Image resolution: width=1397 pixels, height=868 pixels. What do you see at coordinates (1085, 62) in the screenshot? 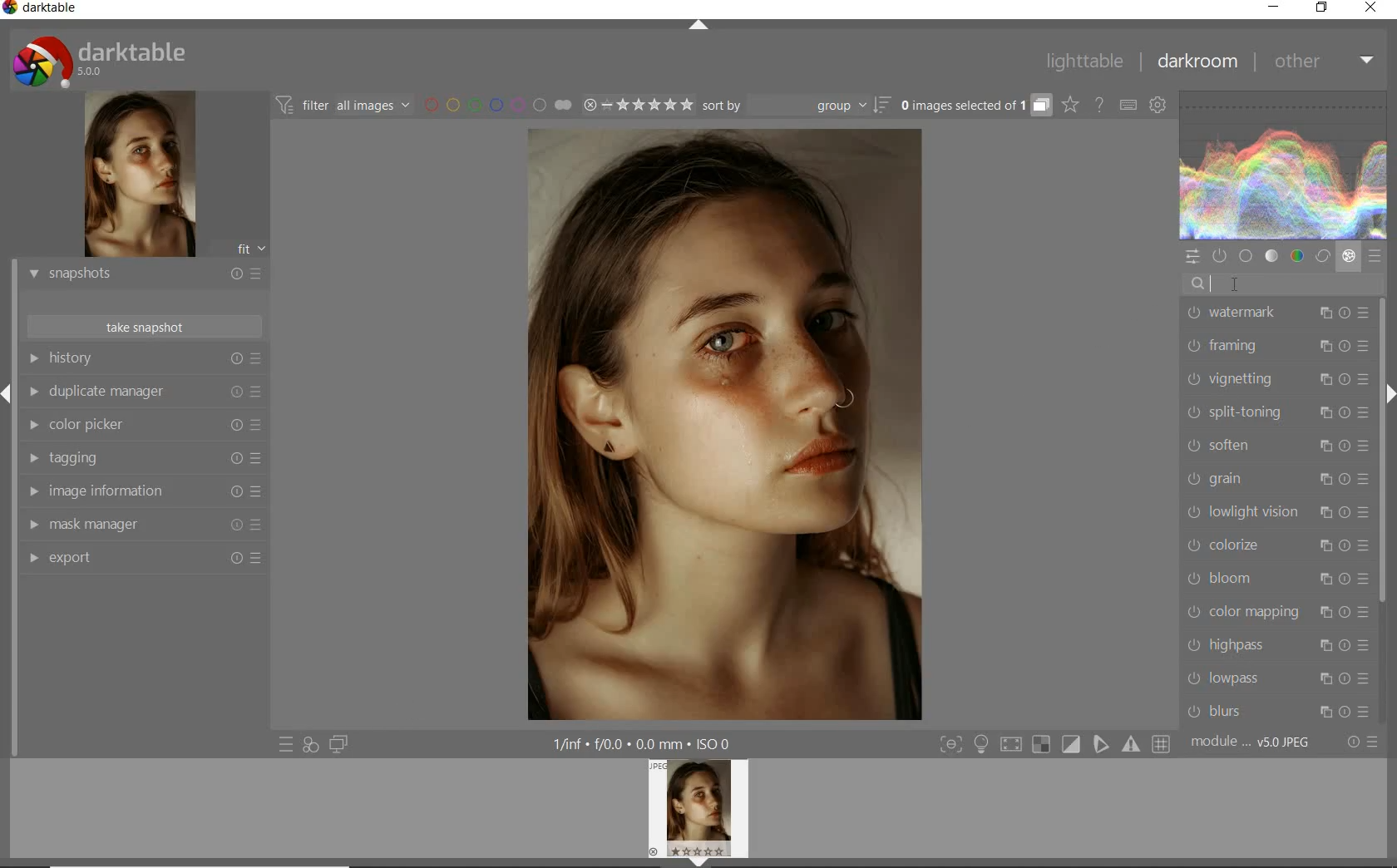
I see `lighttable` at bounding box center [1085, 62].